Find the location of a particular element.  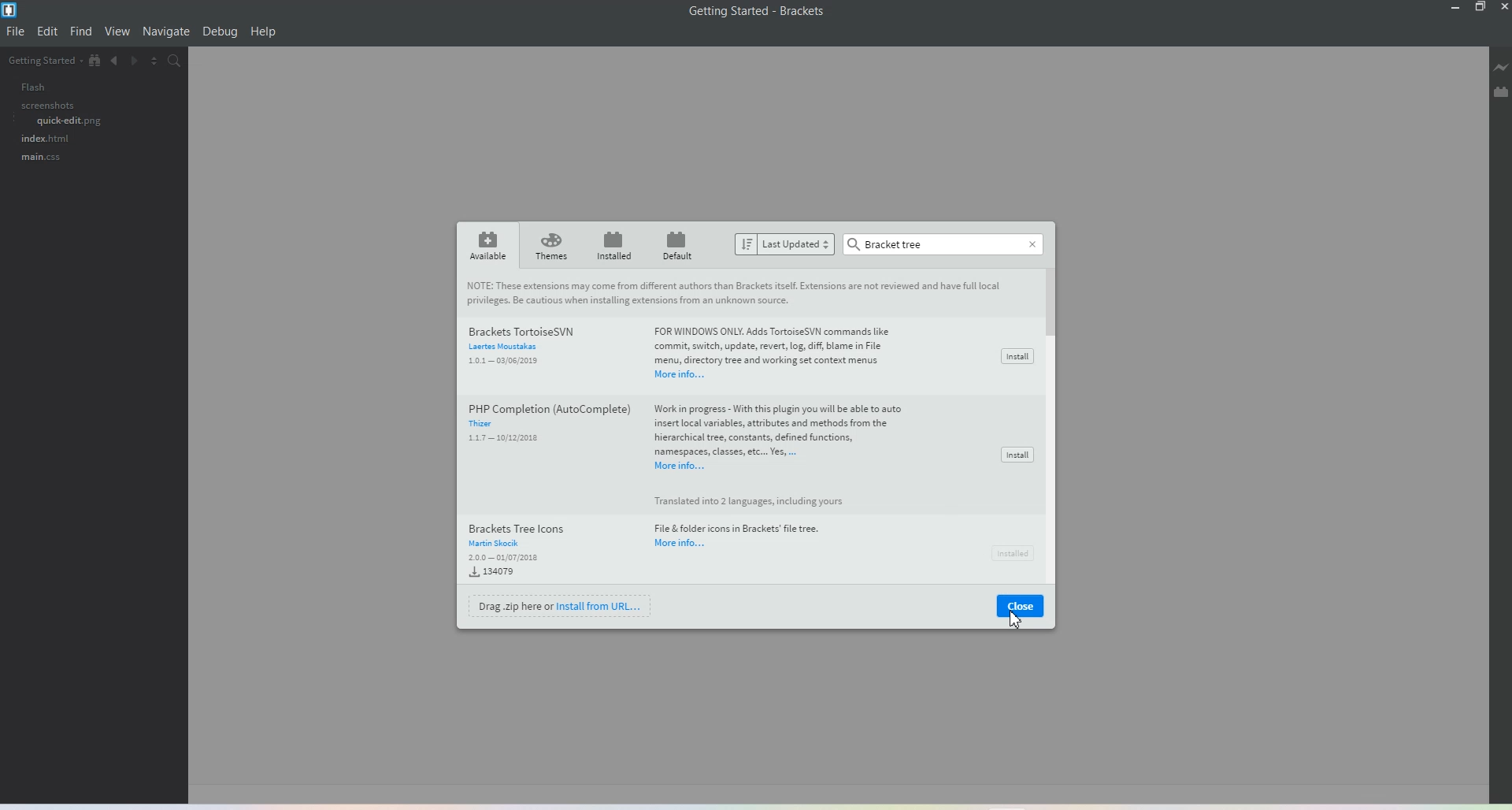

Install from URL is located at coordinates (561, 605).